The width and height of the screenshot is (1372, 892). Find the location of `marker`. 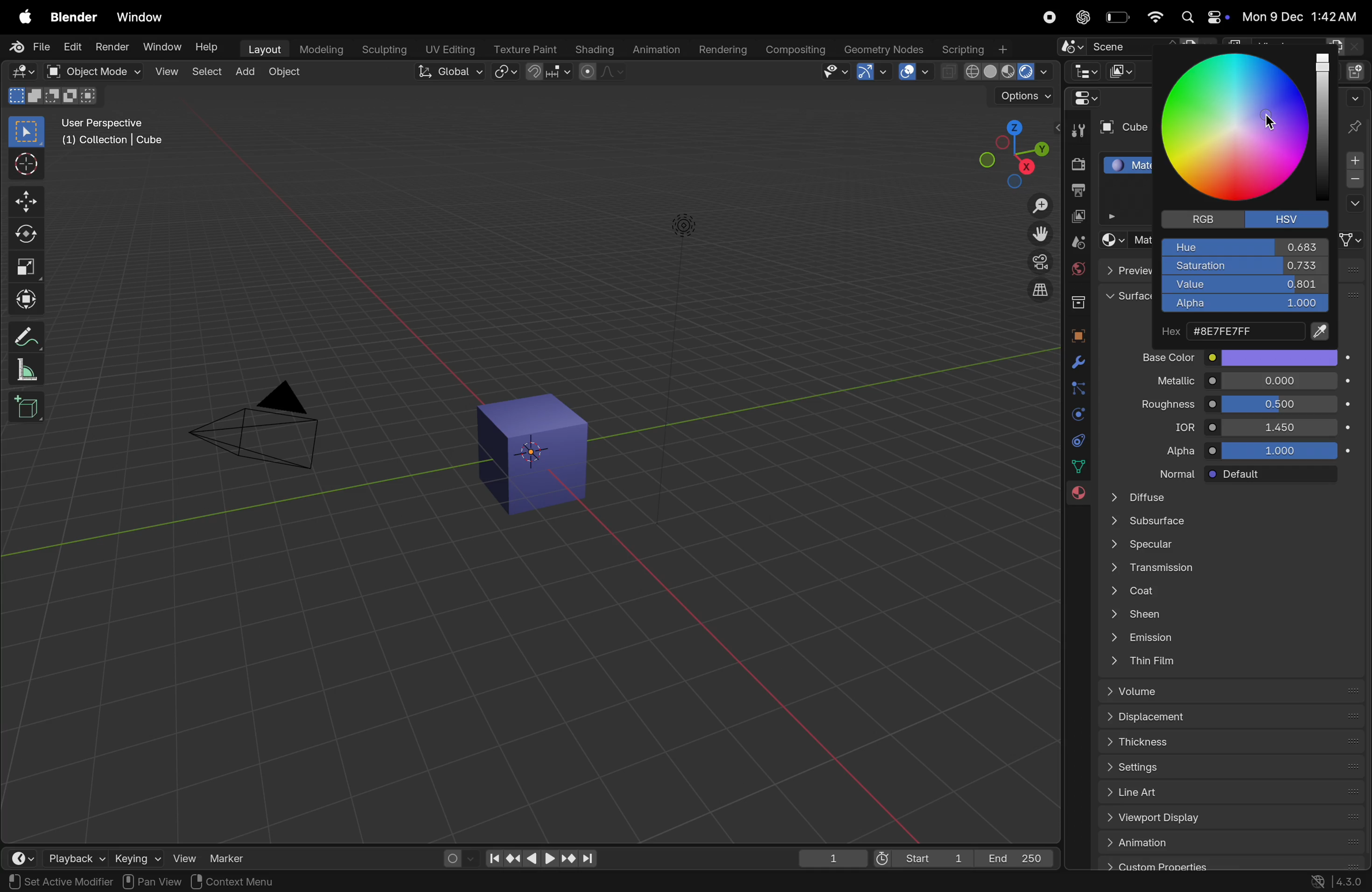

marker is located at coordinates (232, 857).